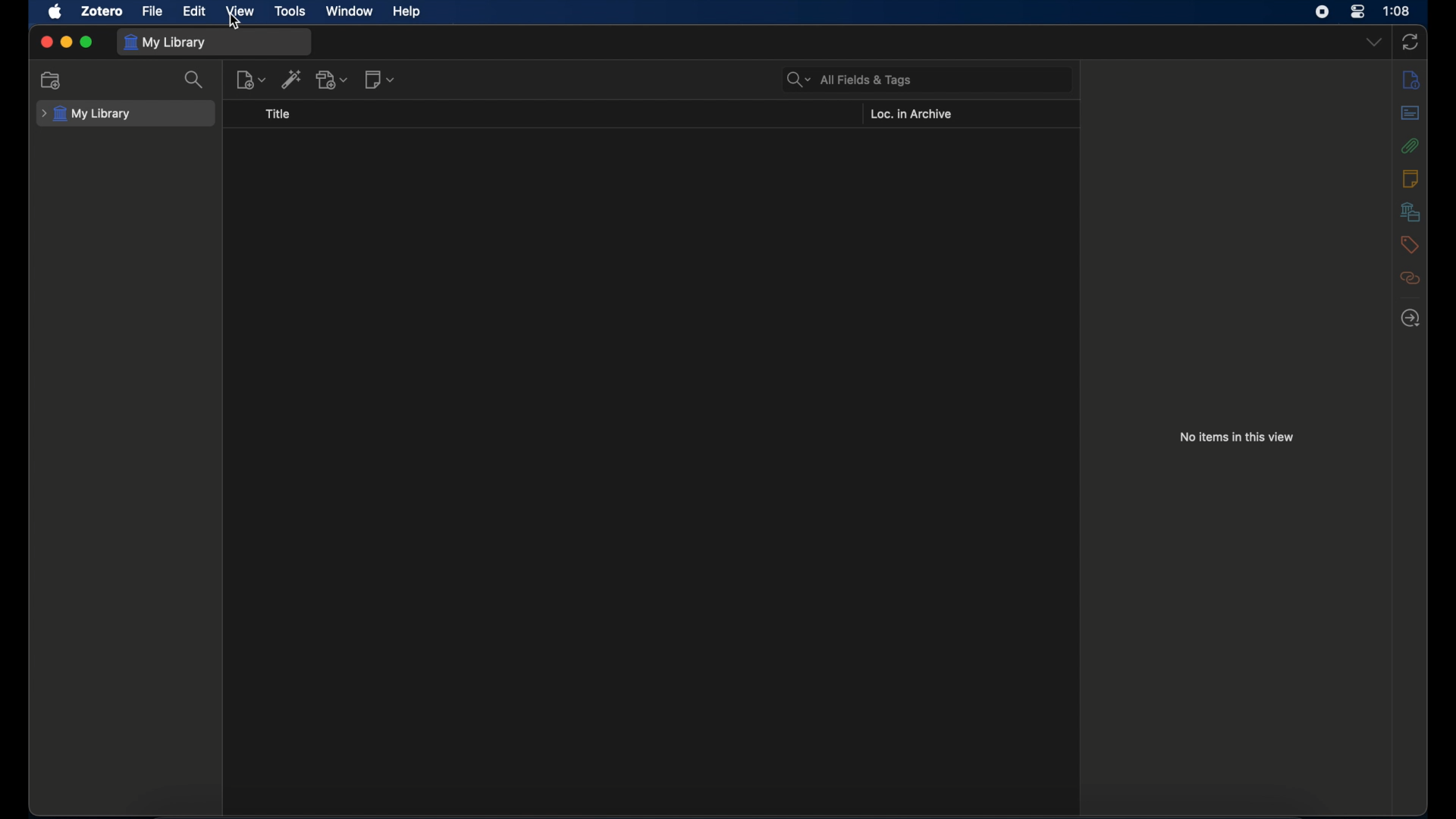 The height and width of the screenshot is (819, 1456). I want to click on sync, so click(1411, 42).